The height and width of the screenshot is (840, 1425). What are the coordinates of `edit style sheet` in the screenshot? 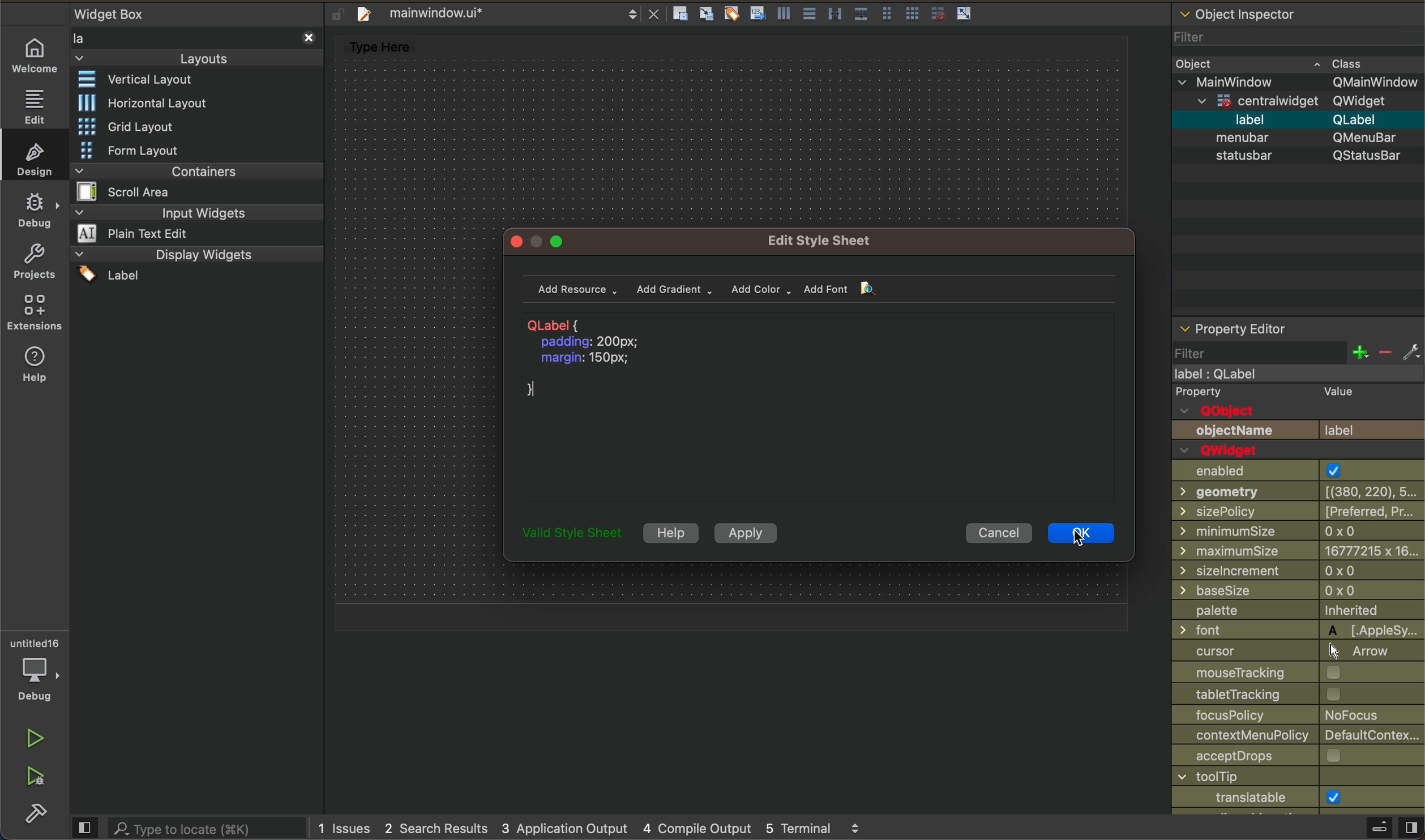 It's located at (833, 239).